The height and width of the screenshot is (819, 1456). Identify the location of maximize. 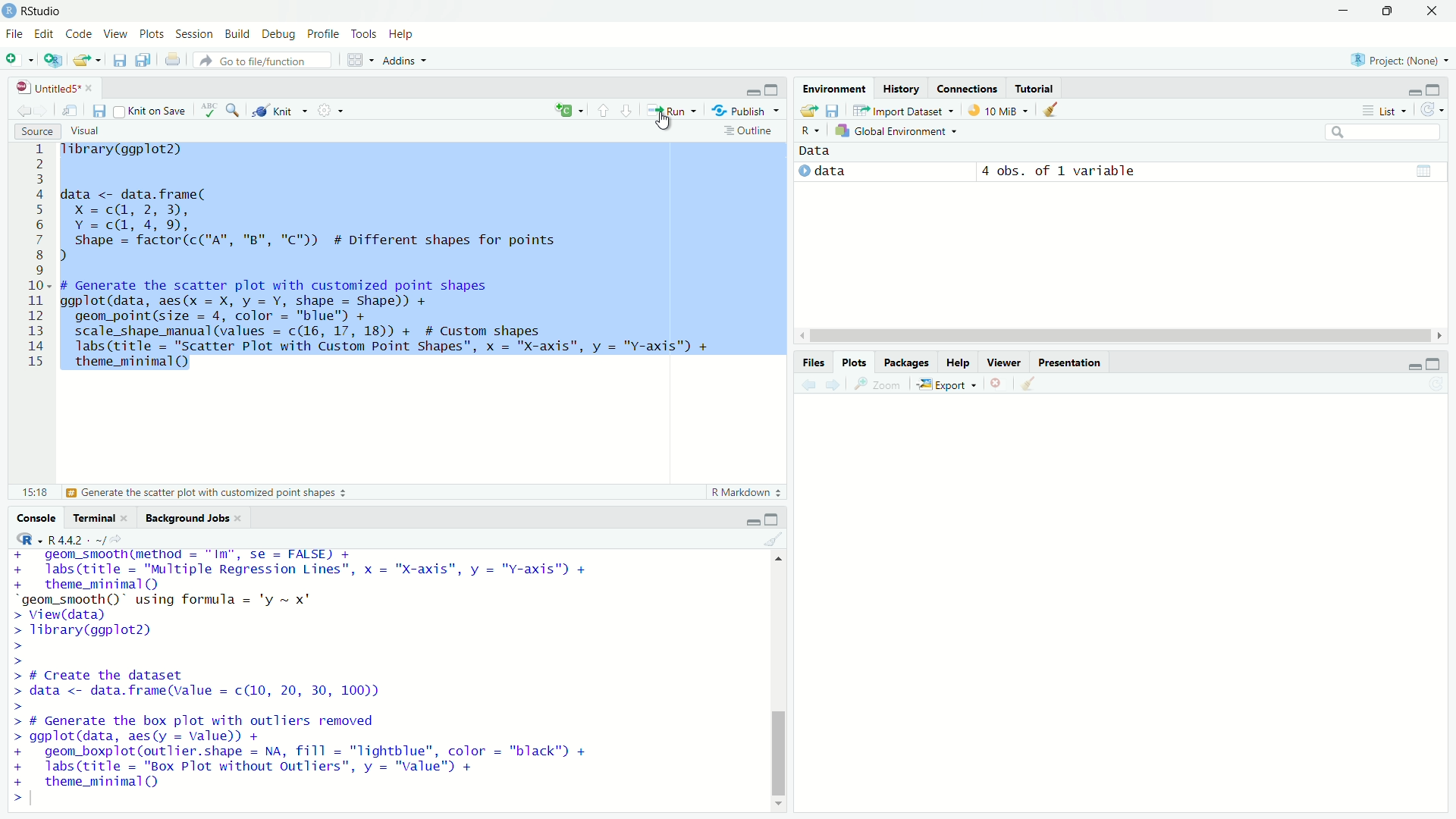
(1433, 364).